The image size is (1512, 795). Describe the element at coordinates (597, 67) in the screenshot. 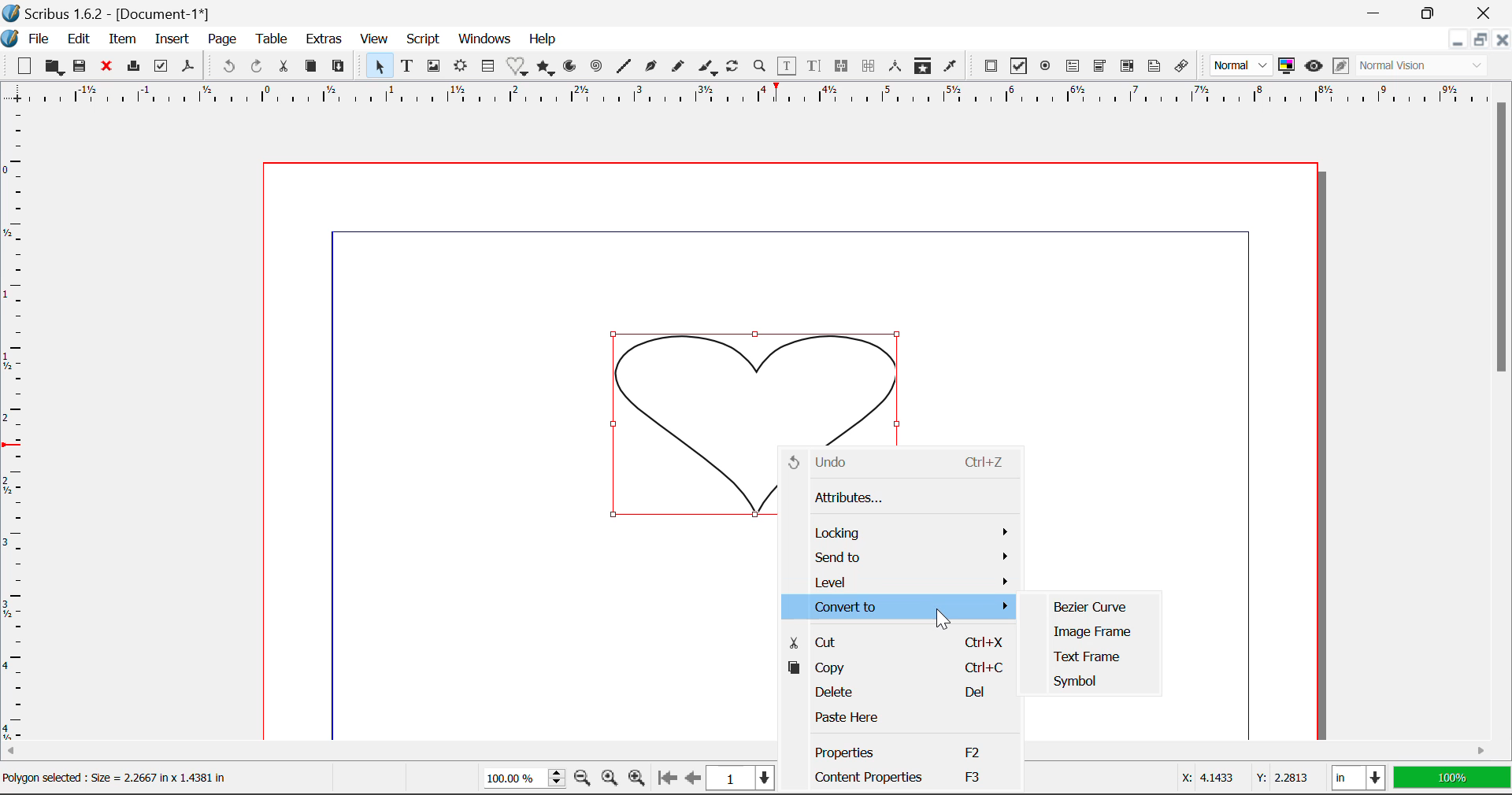

I see `Spiral` at that location.